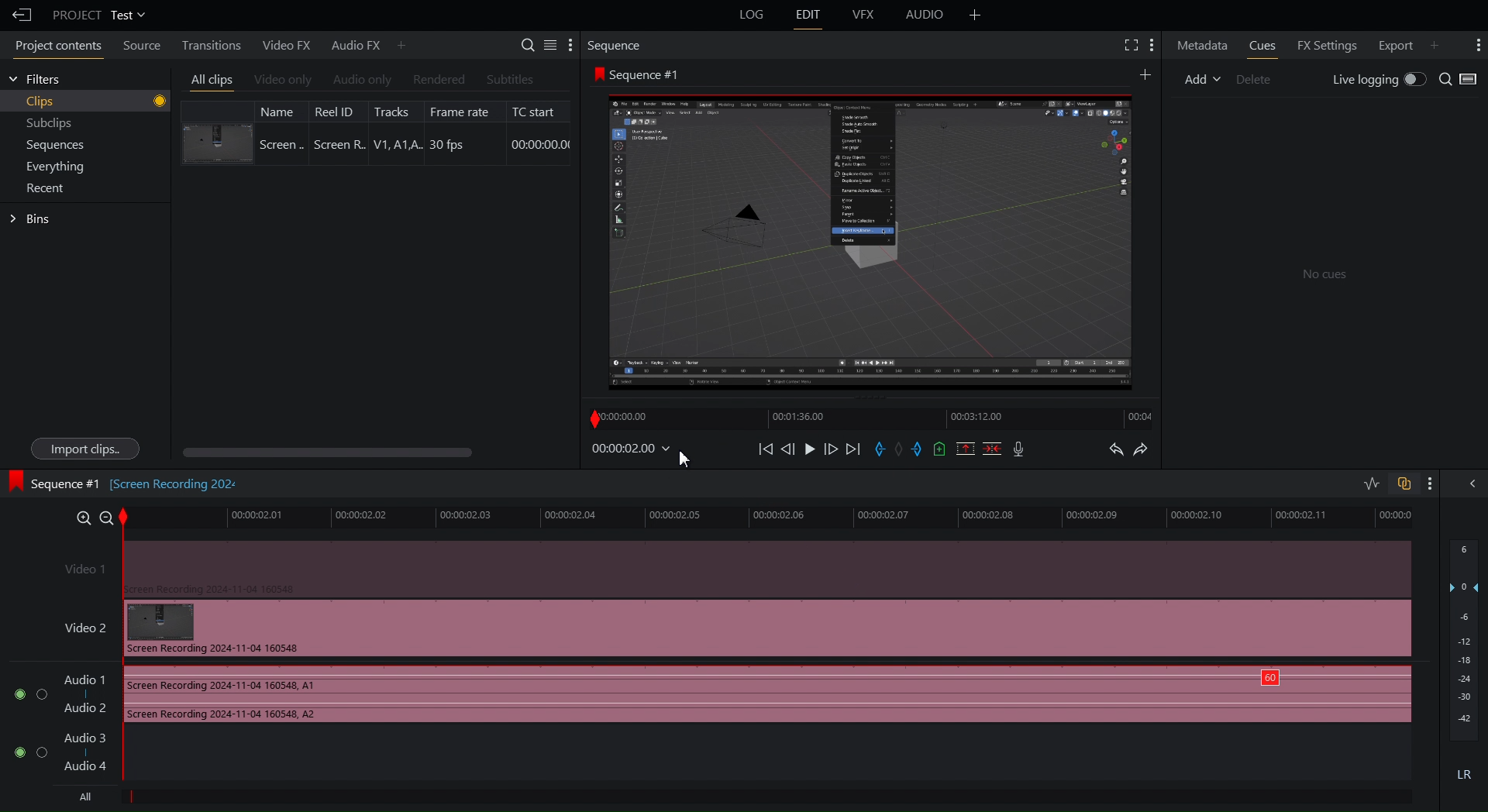  Describe the element at coordinates (33, 219) in the screenshot. I see `Bins` at that location.